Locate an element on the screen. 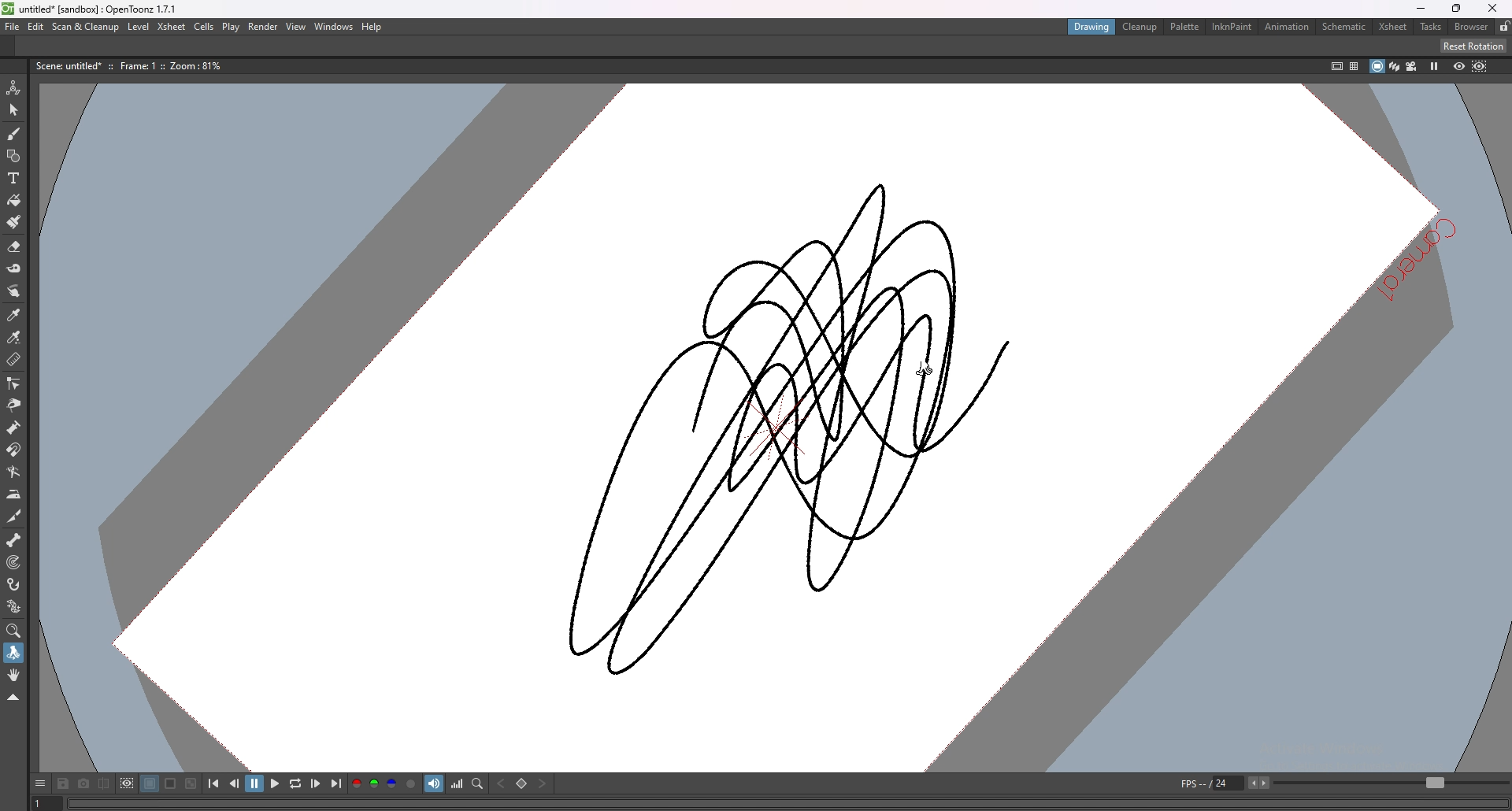 This screenshot has height=811, width=1512. erase tool is located at coordinates (15, 246).